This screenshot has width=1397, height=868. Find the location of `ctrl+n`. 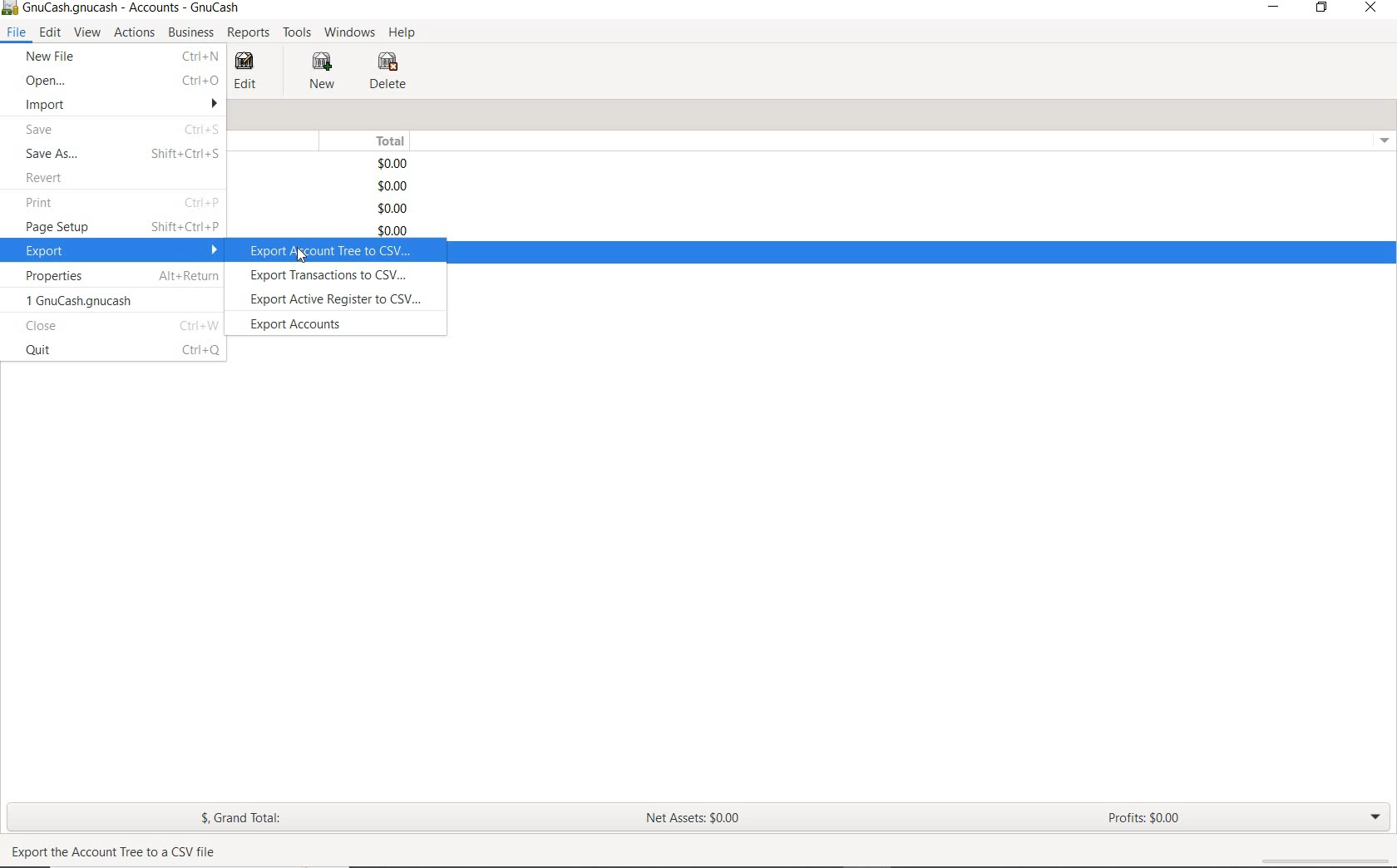

ctrl+n is located at coordinates (199, 55).